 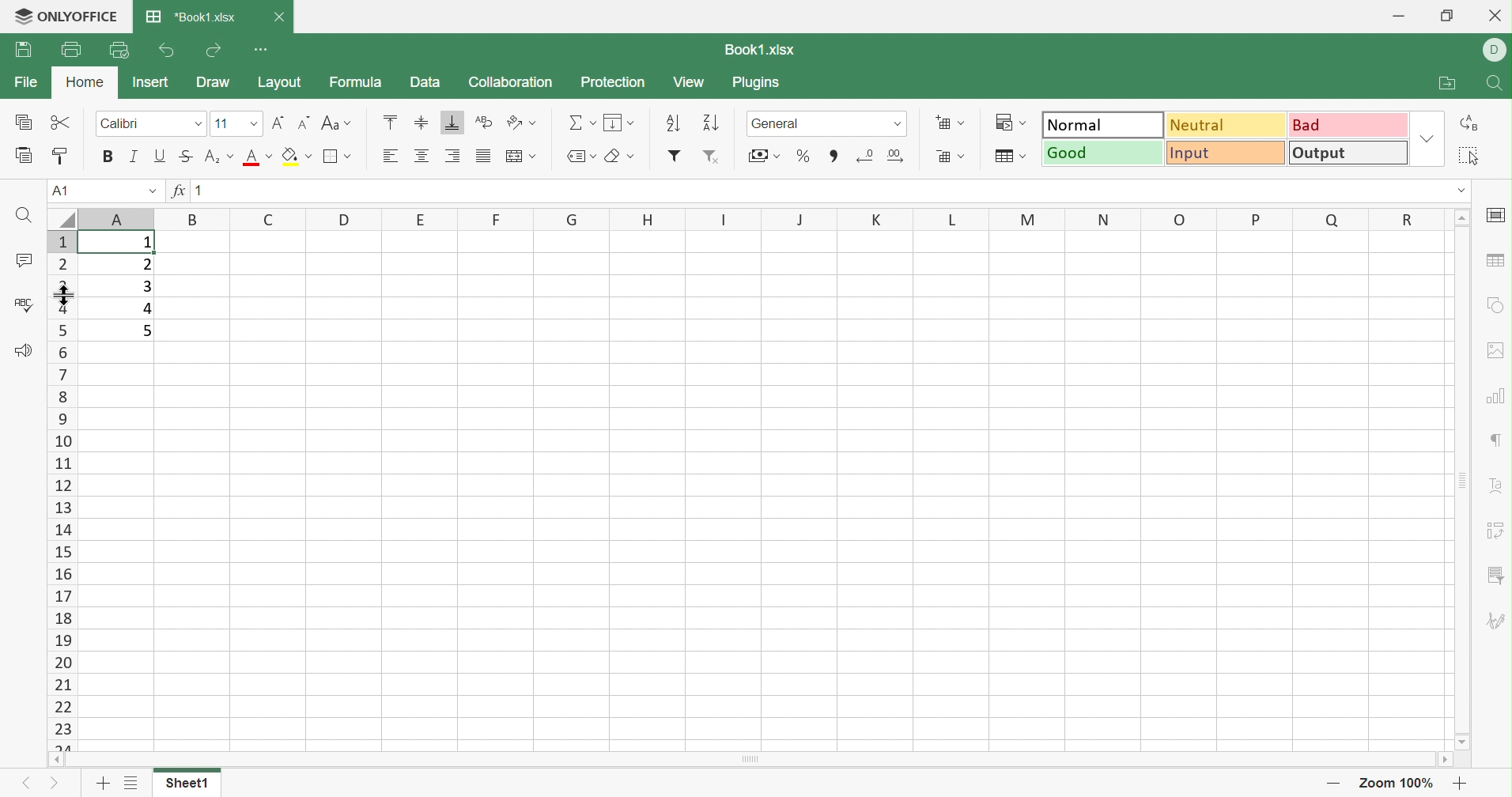 I want to click on Fill color, so click(x=289, y=155).